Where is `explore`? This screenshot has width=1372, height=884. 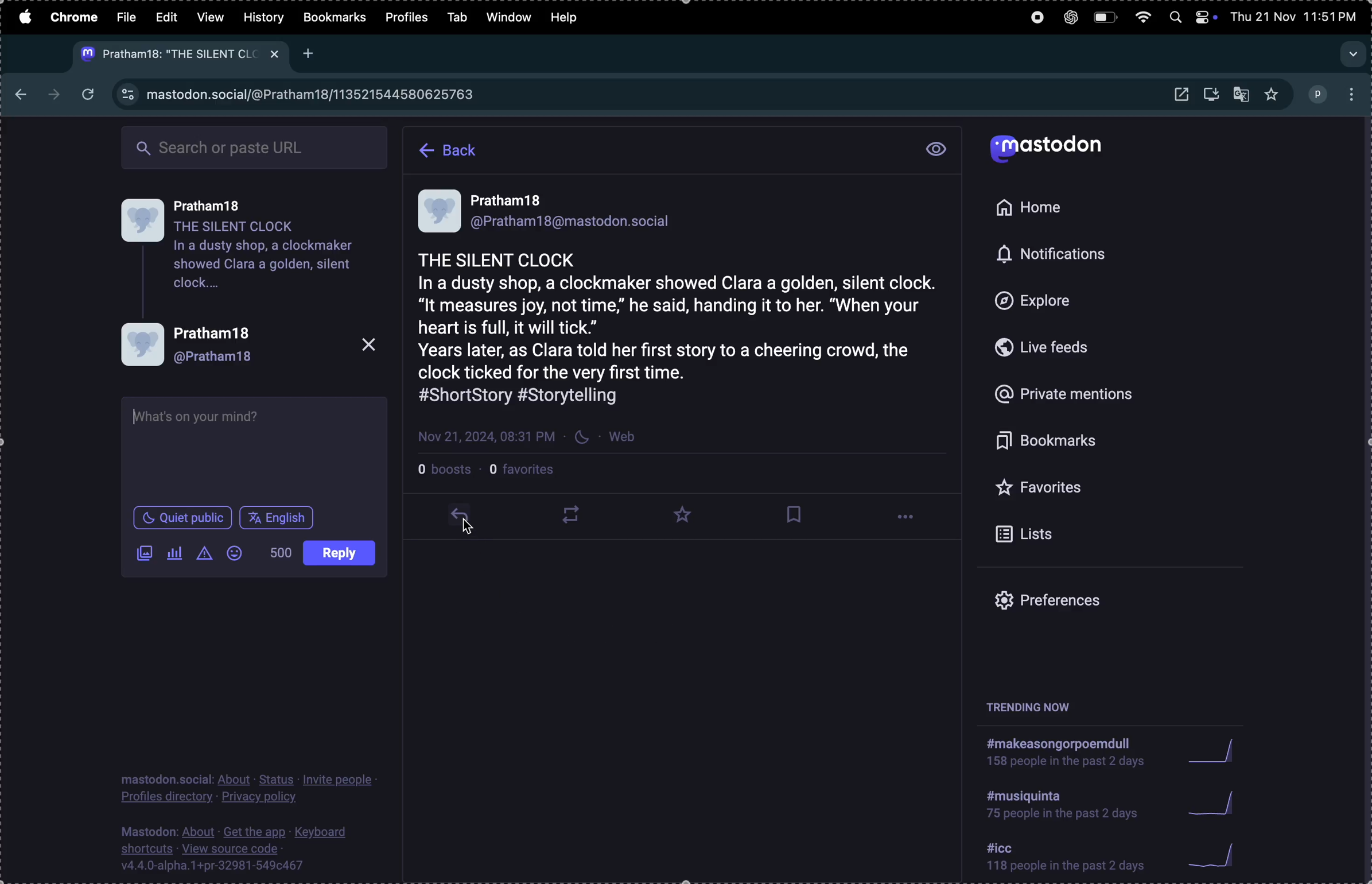 explore is located at coordinates (1054, 301).